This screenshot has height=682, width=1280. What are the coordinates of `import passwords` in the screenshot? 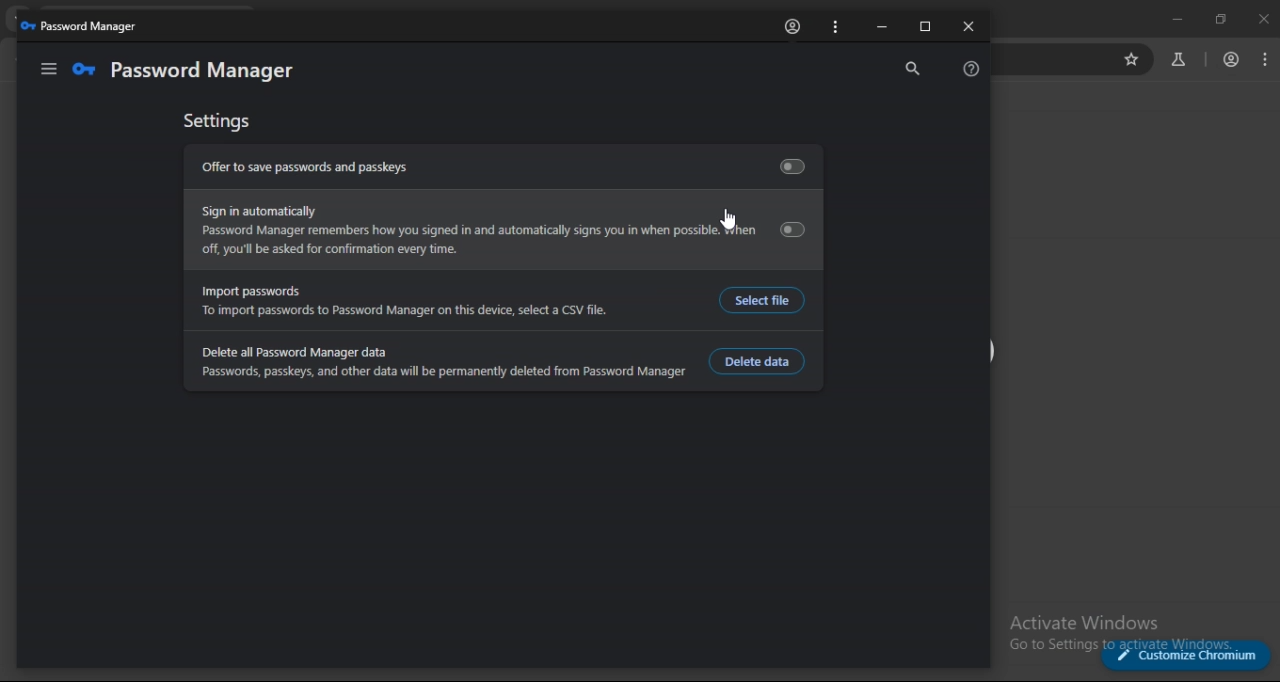 It's located at (441, 300).